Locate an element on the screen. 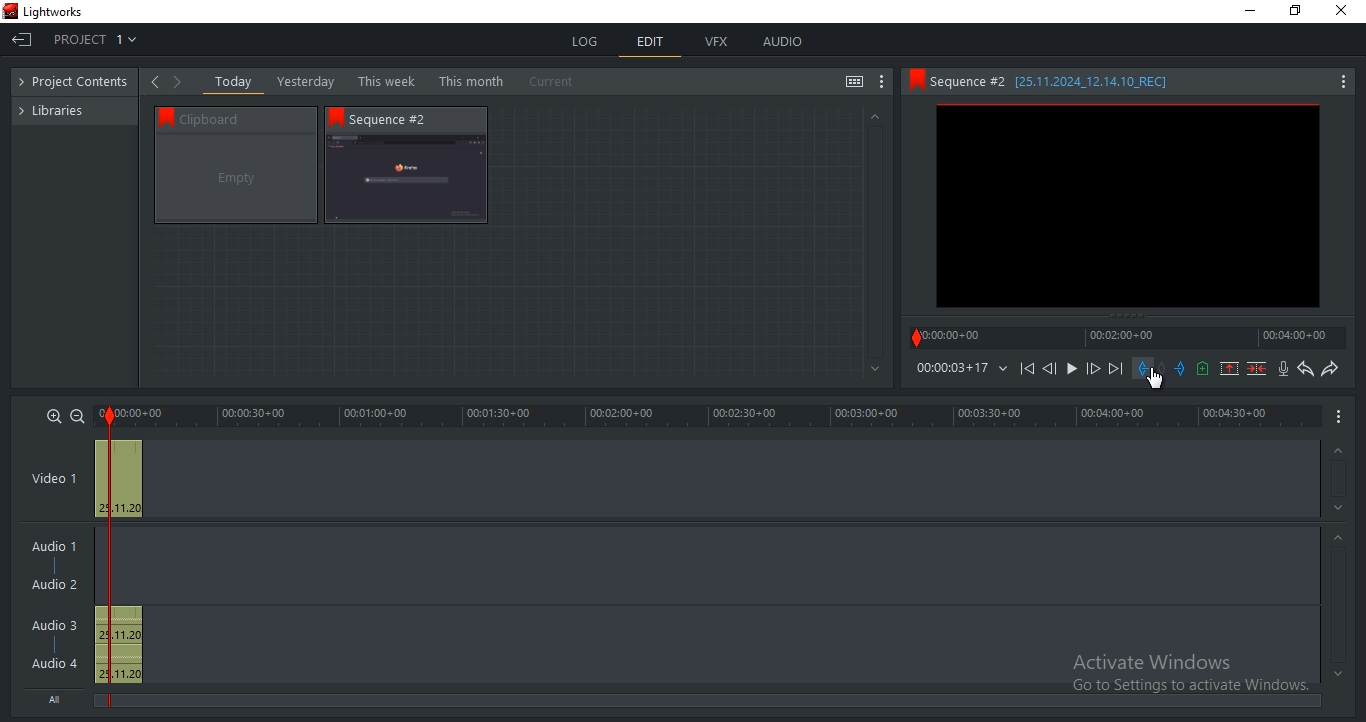 The width and height of the screenshot is (1366, 722). delete marked section is located at coordinates (1258, 368).